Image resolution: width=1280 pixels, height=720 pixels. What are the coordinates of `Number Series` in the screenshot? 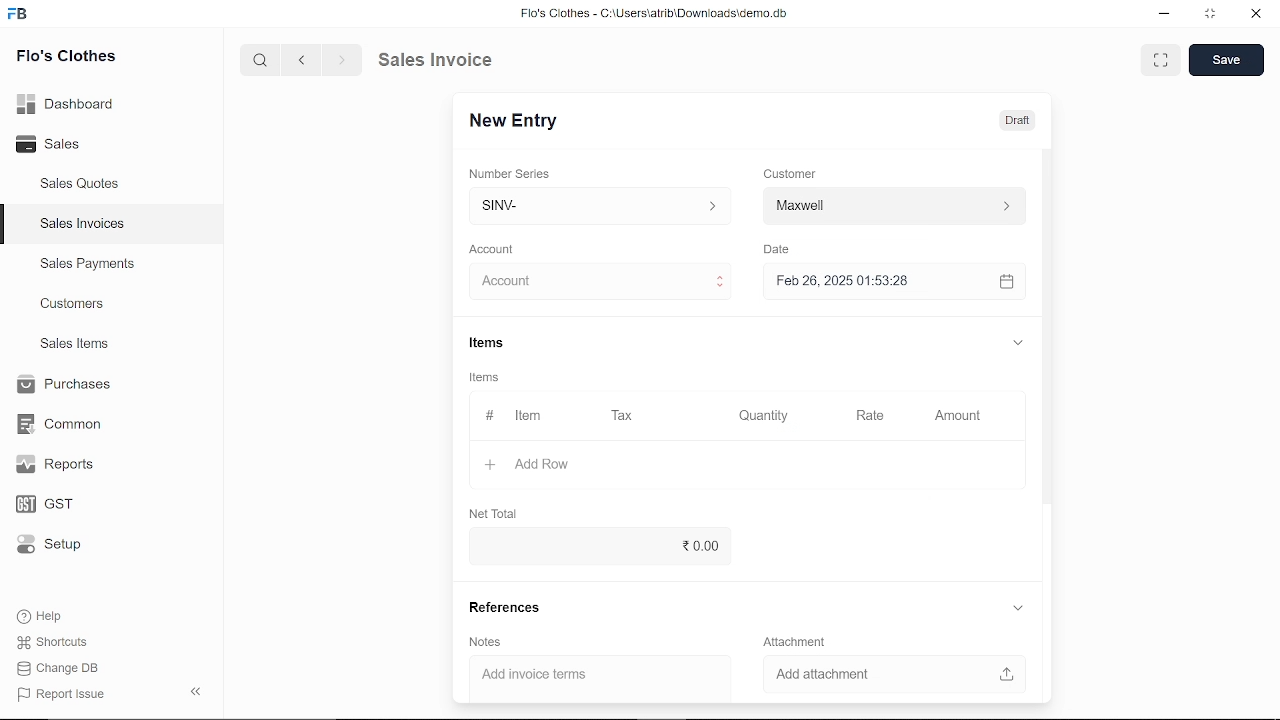 It's located at (512, 173).